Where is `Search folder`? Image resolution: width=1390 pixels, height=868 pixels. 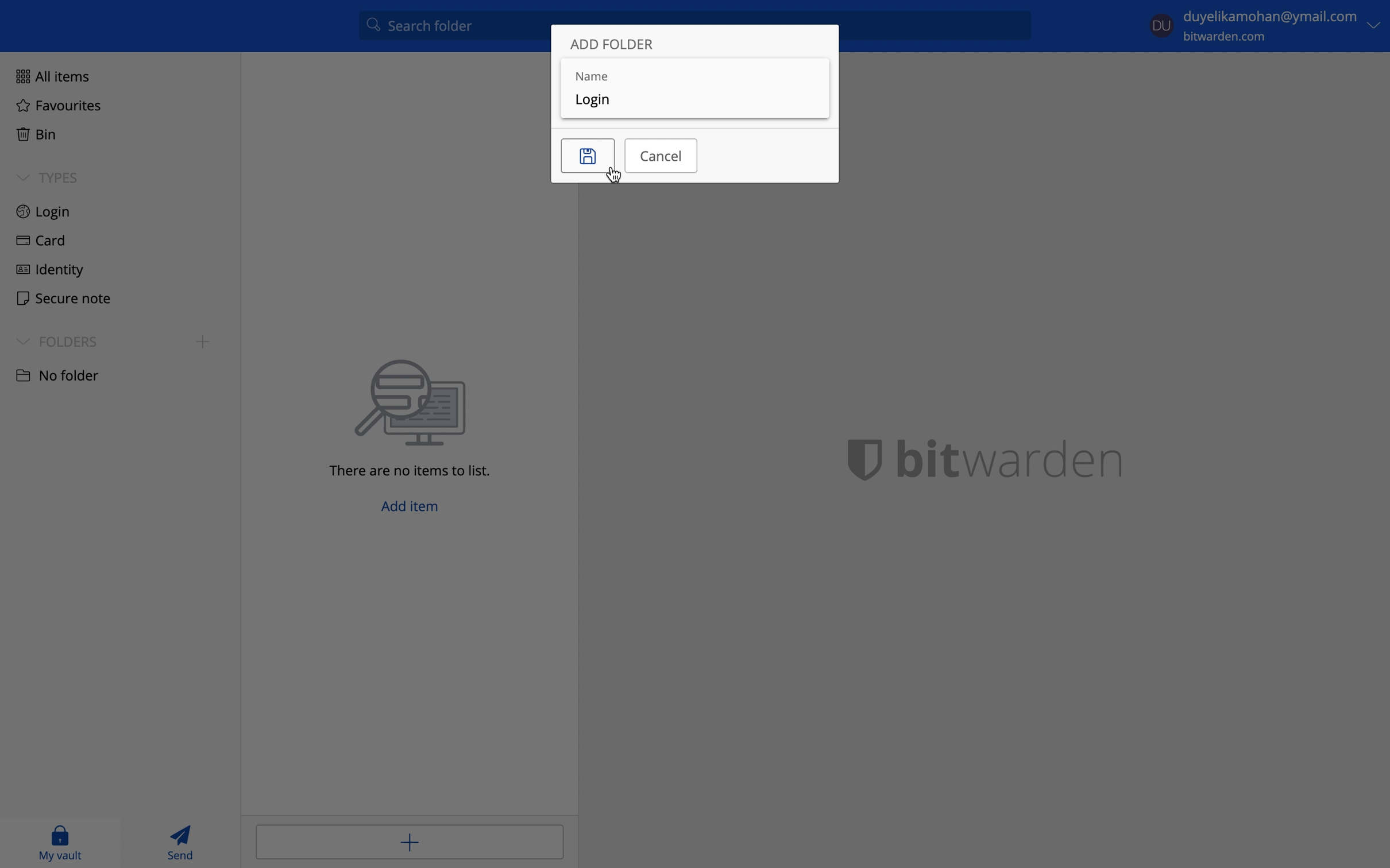
Search folder is located at coordinates (450, 29).